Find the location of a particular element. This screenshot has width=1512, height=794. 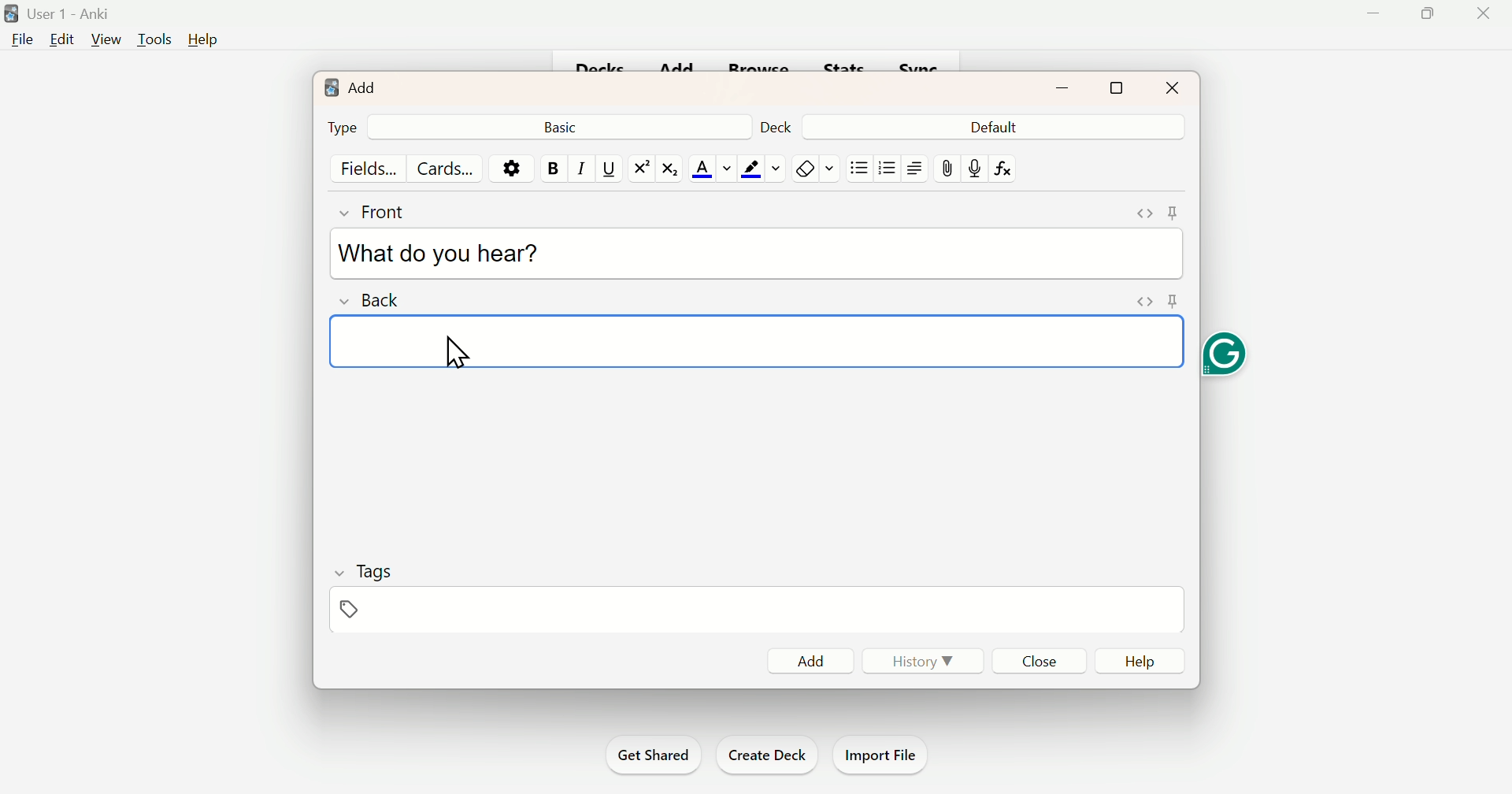

Front is located at coordinates (387, 216).